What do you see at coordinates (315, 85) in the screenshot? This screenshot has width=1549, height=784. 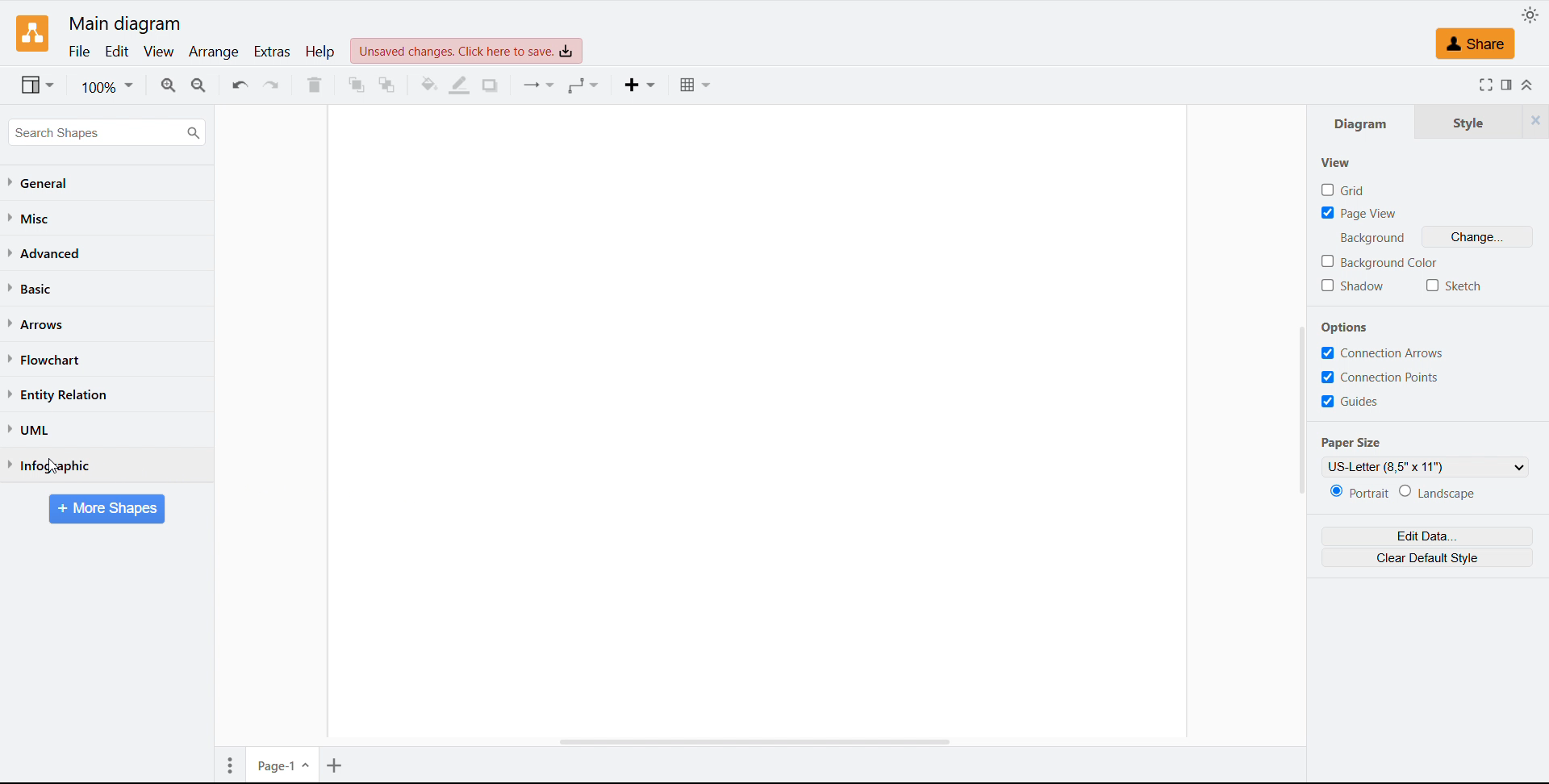 I see `Delete ` at bounding box center [315, 85].